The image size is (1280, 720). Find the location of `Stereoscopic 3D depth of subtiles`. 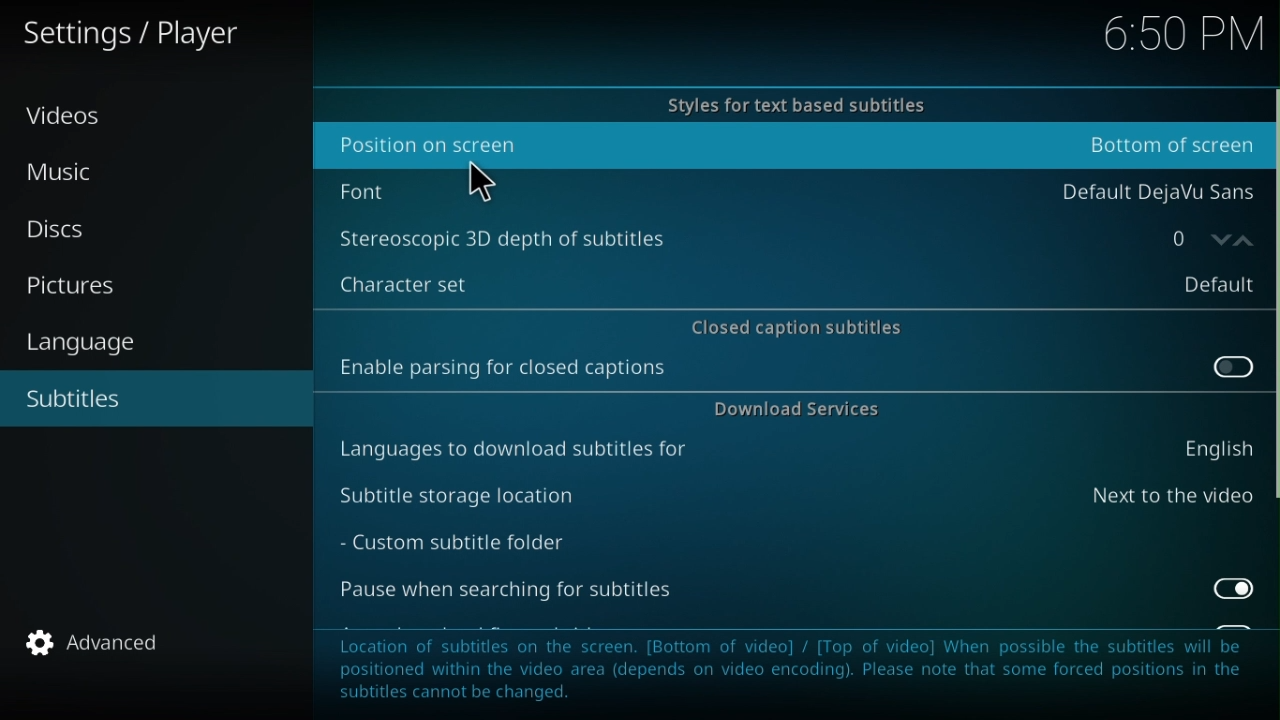

Stereoscopic 3D depth of subtiles is located at coordinates (727, 237).